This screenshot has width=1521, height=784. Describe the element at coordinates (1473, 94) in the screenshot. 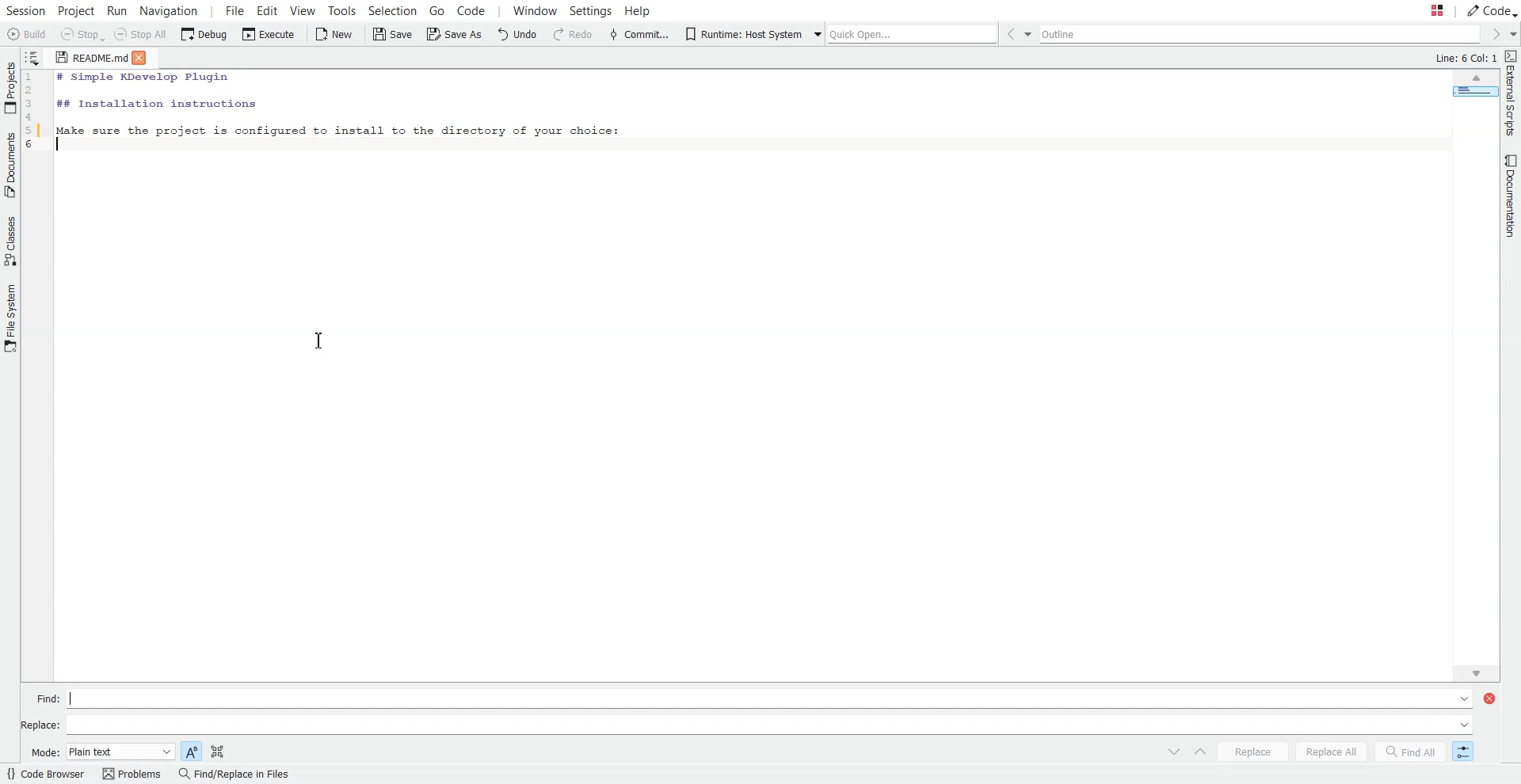

I see `Page Overview` at that location.